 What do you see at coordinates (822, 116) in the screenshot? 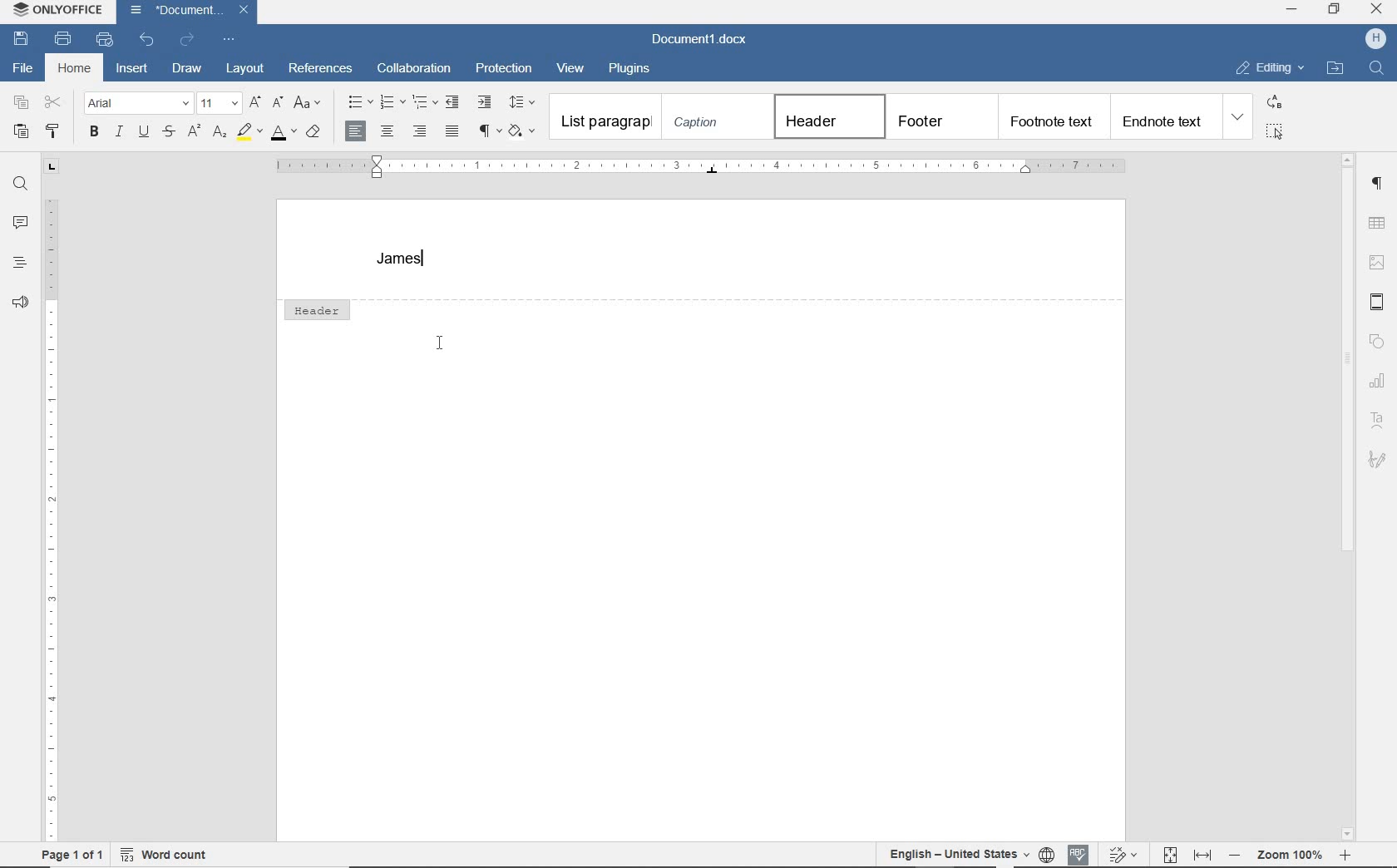
I see `Heading1` at bounding box center [822, 116].